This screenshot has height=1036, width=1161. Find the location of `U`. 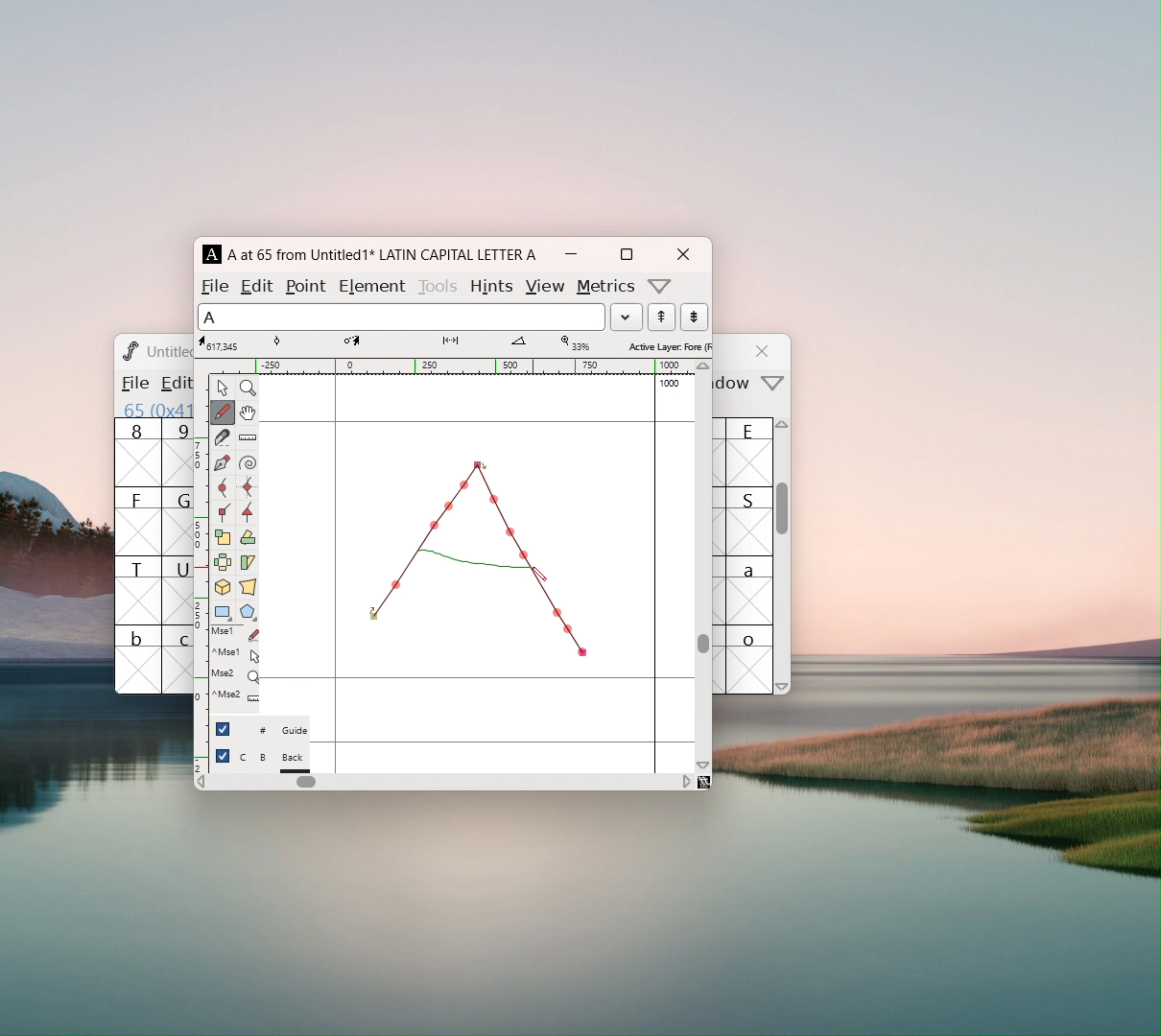

U is located at coordinates (178, 590).